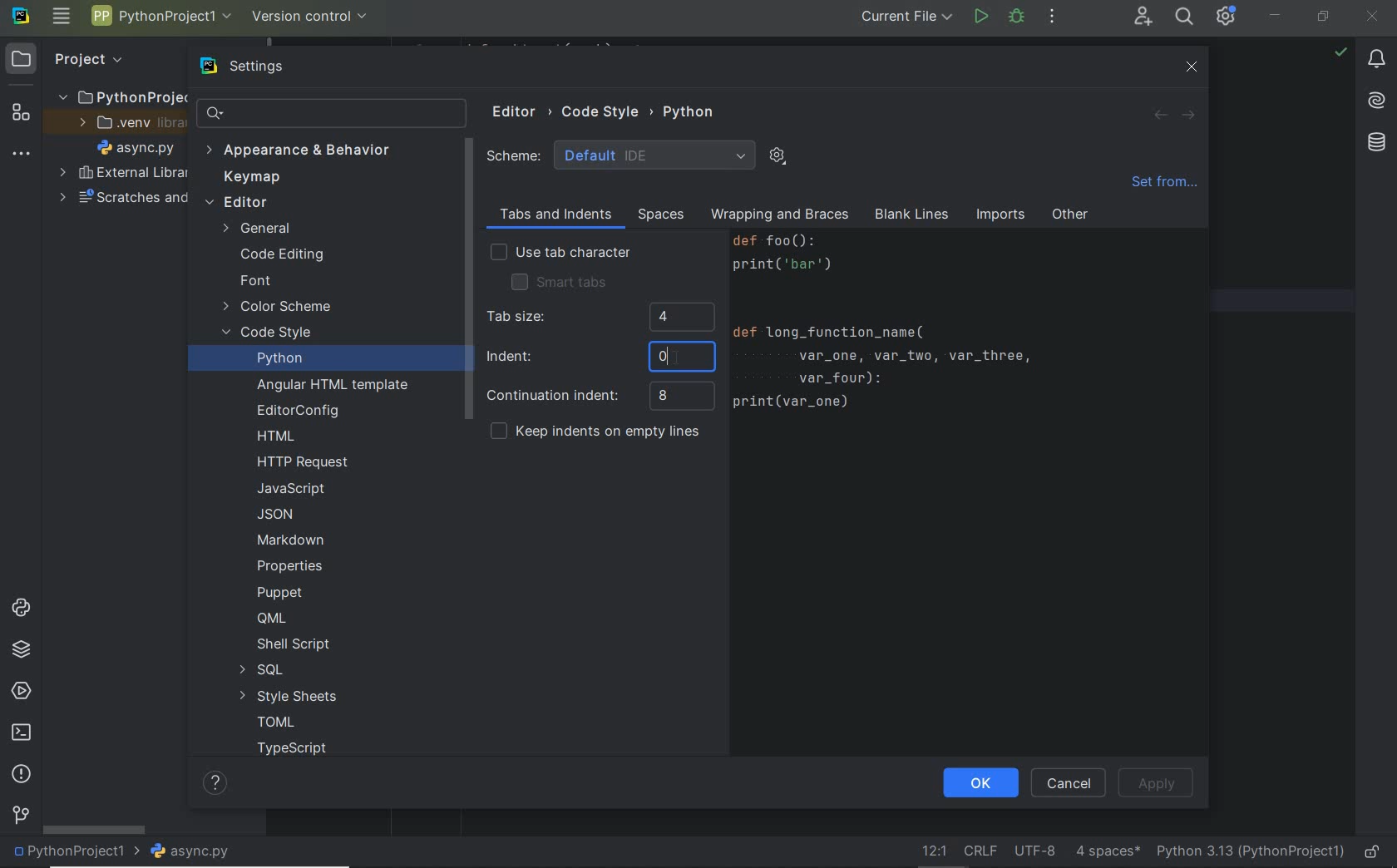 The width and height of the screenshot is (1397, 868). I want to click on use tab characters, so click(560, 254).